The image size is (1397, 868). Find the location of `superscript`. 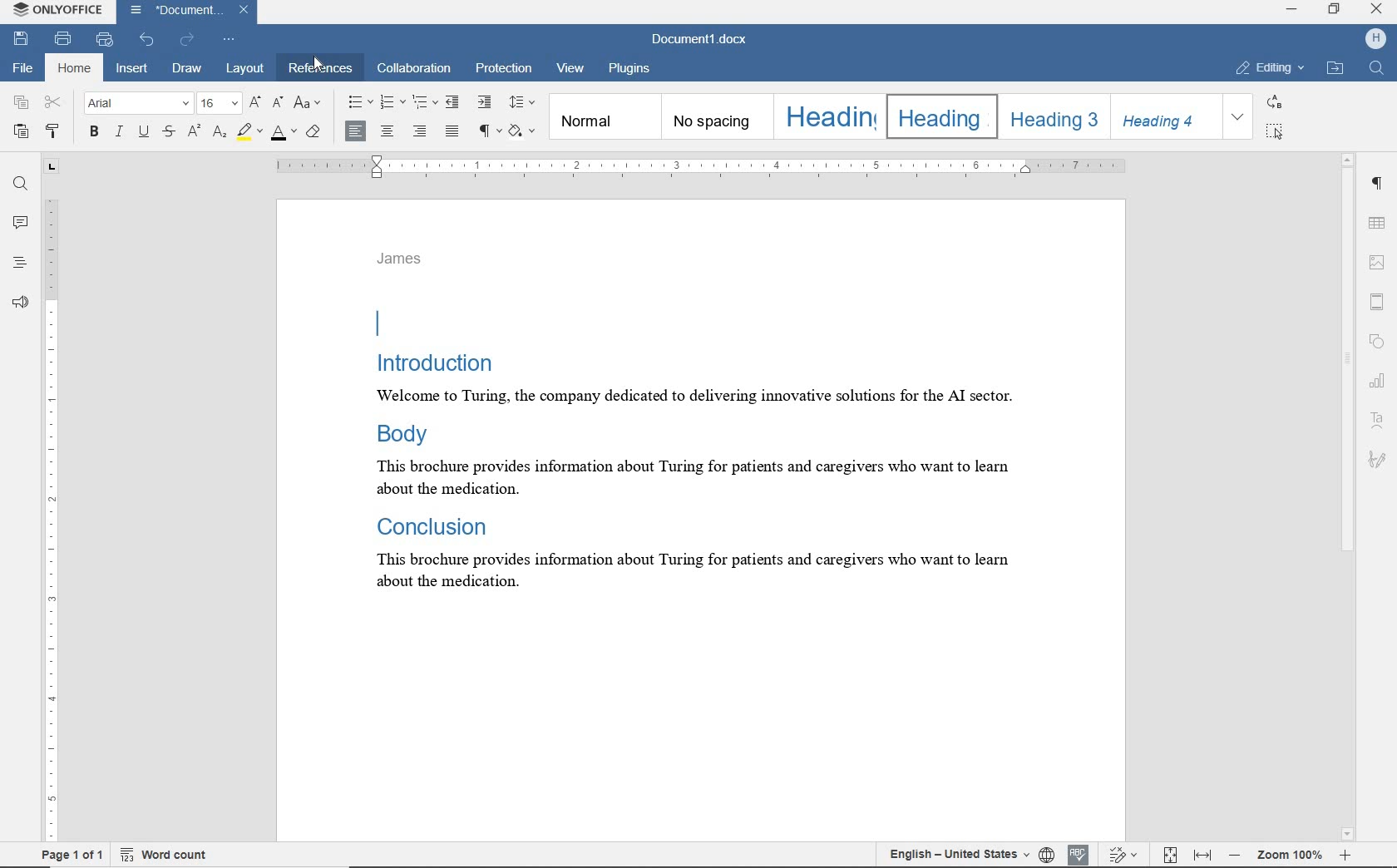

superscript is located at coordinates (220, 134).